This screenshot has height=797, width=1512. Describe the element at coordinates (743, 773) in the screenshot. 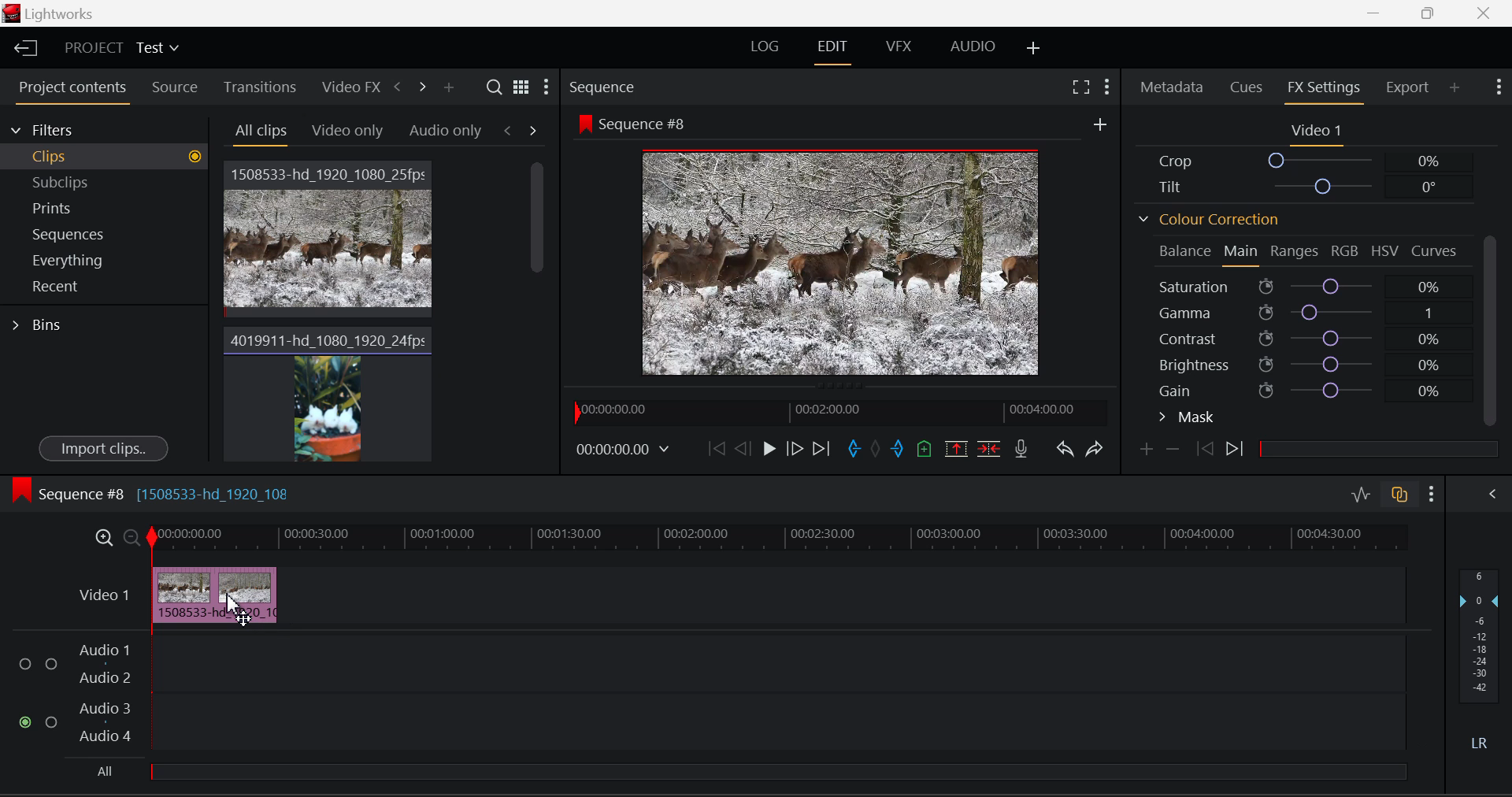

I see `All` at that location.